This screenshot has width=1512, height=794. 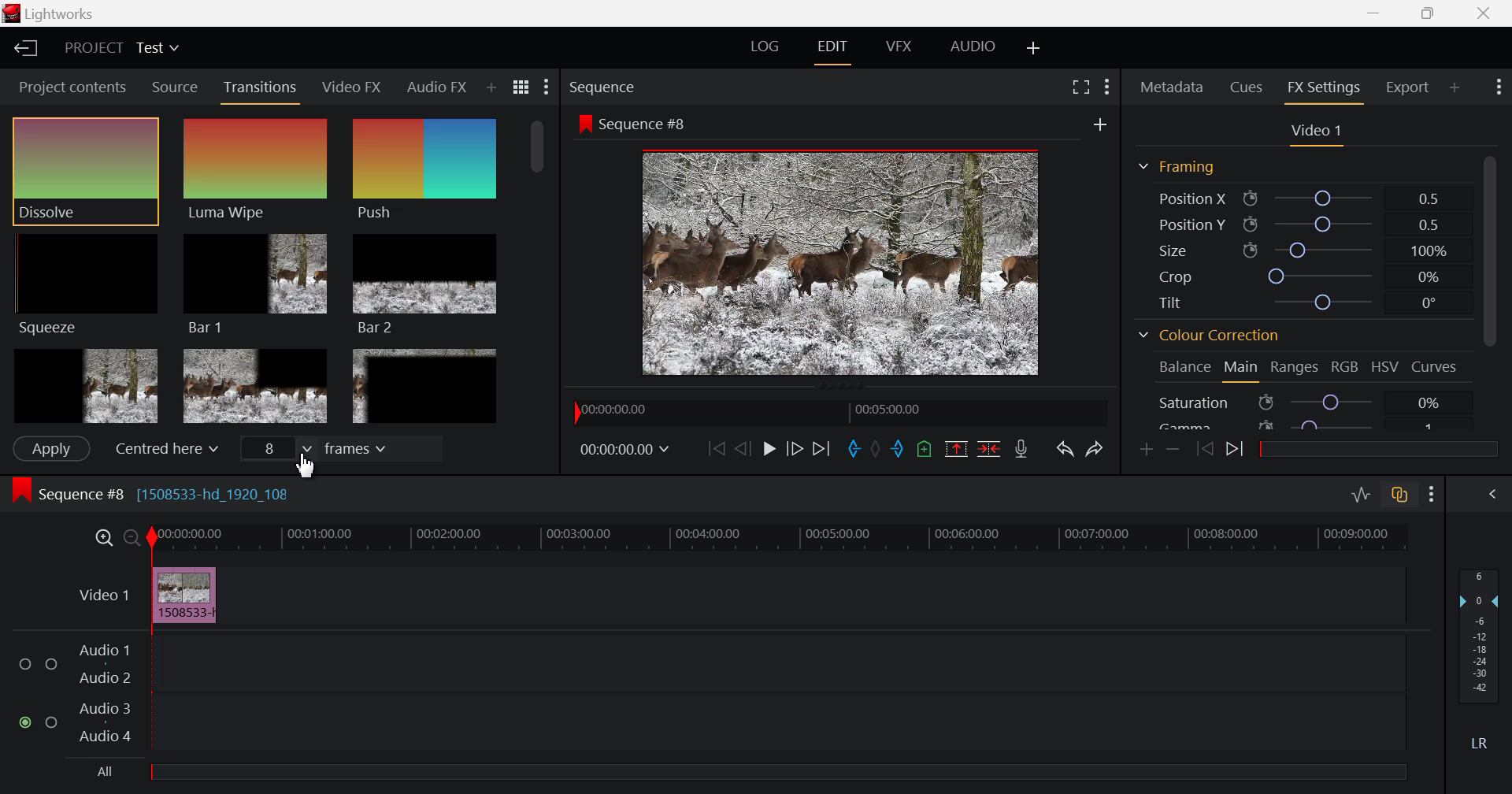 What do you see at coordinates (856, 451) in the screenshot?
I see `Mark In` at bounding box center [856, 451].